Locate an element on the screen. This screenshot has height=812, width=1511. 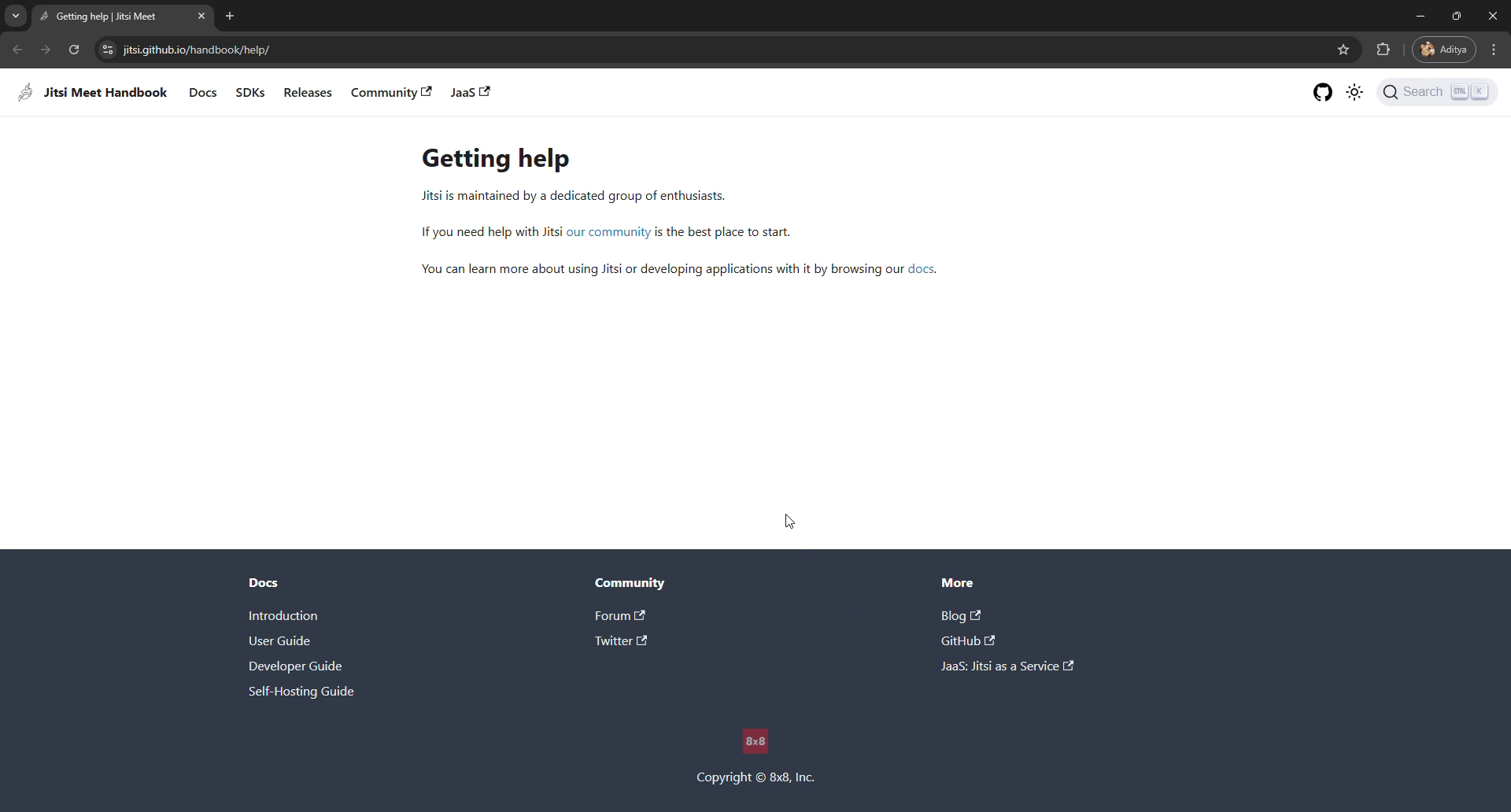
extensions is located at coordinates (1383, 50).